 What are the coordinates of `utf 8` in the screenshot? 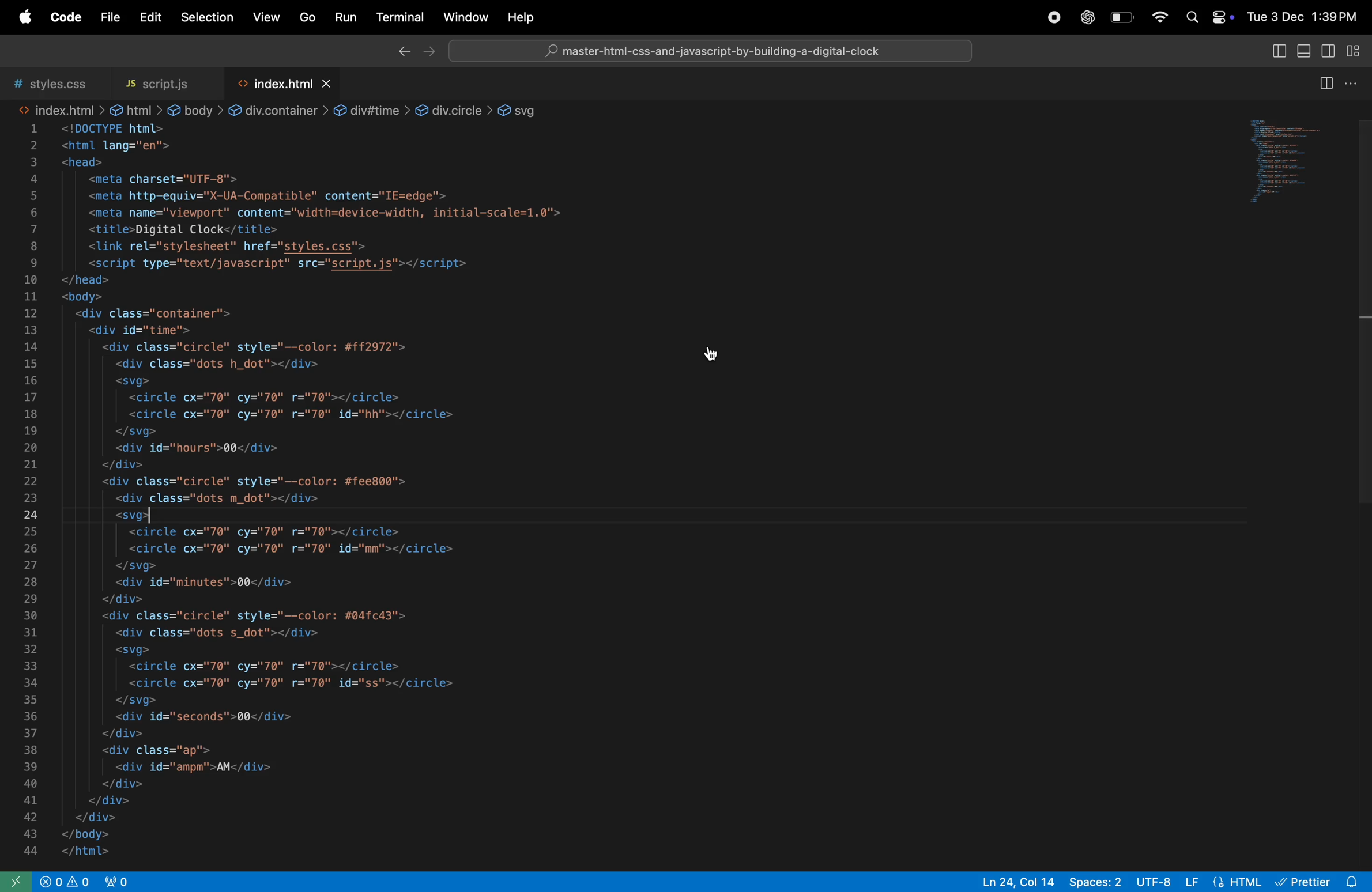 It's located at (1153, 879).